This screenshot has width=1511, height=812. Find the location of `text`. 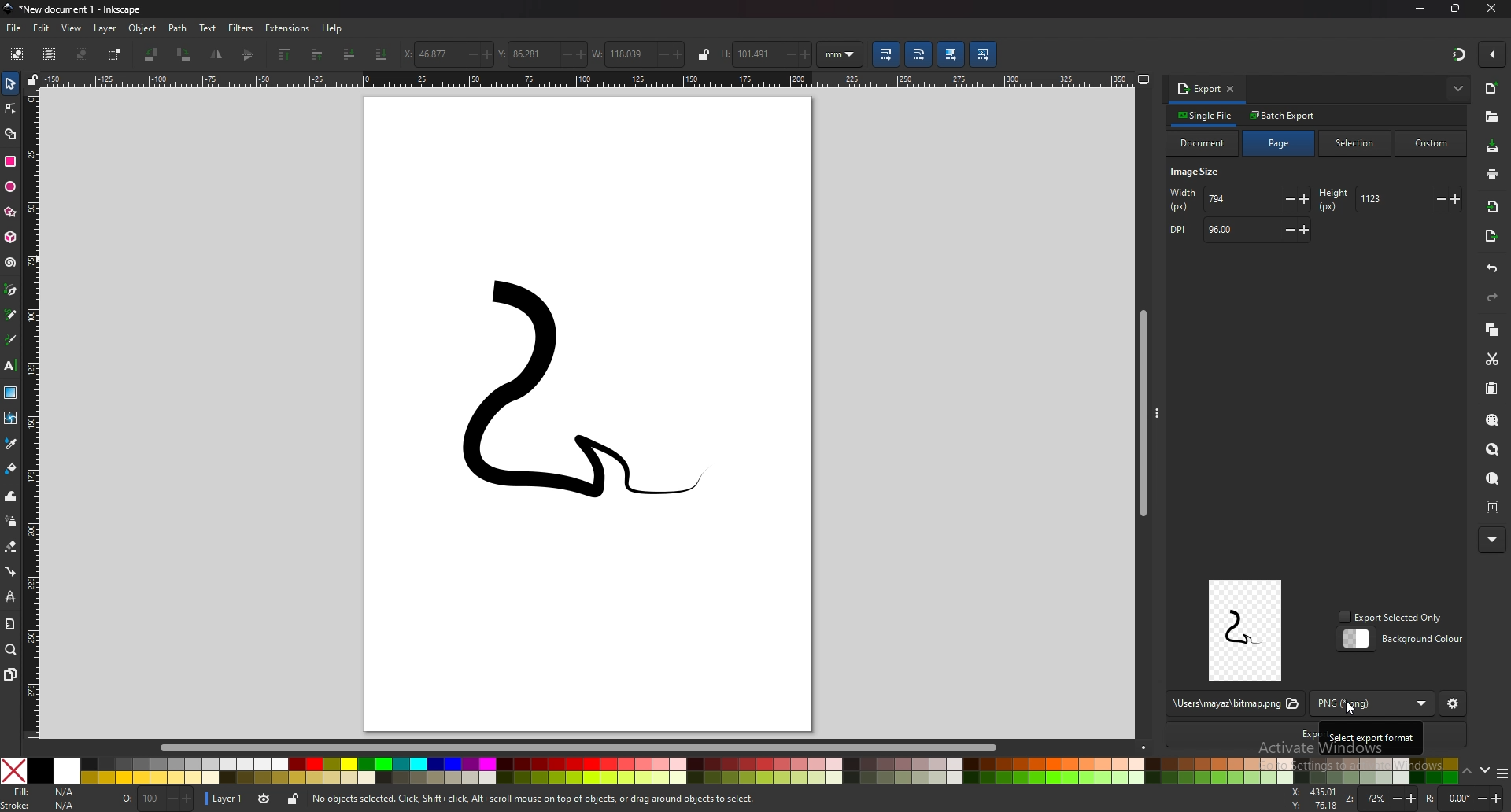

text is located at coordinates (11, 366).